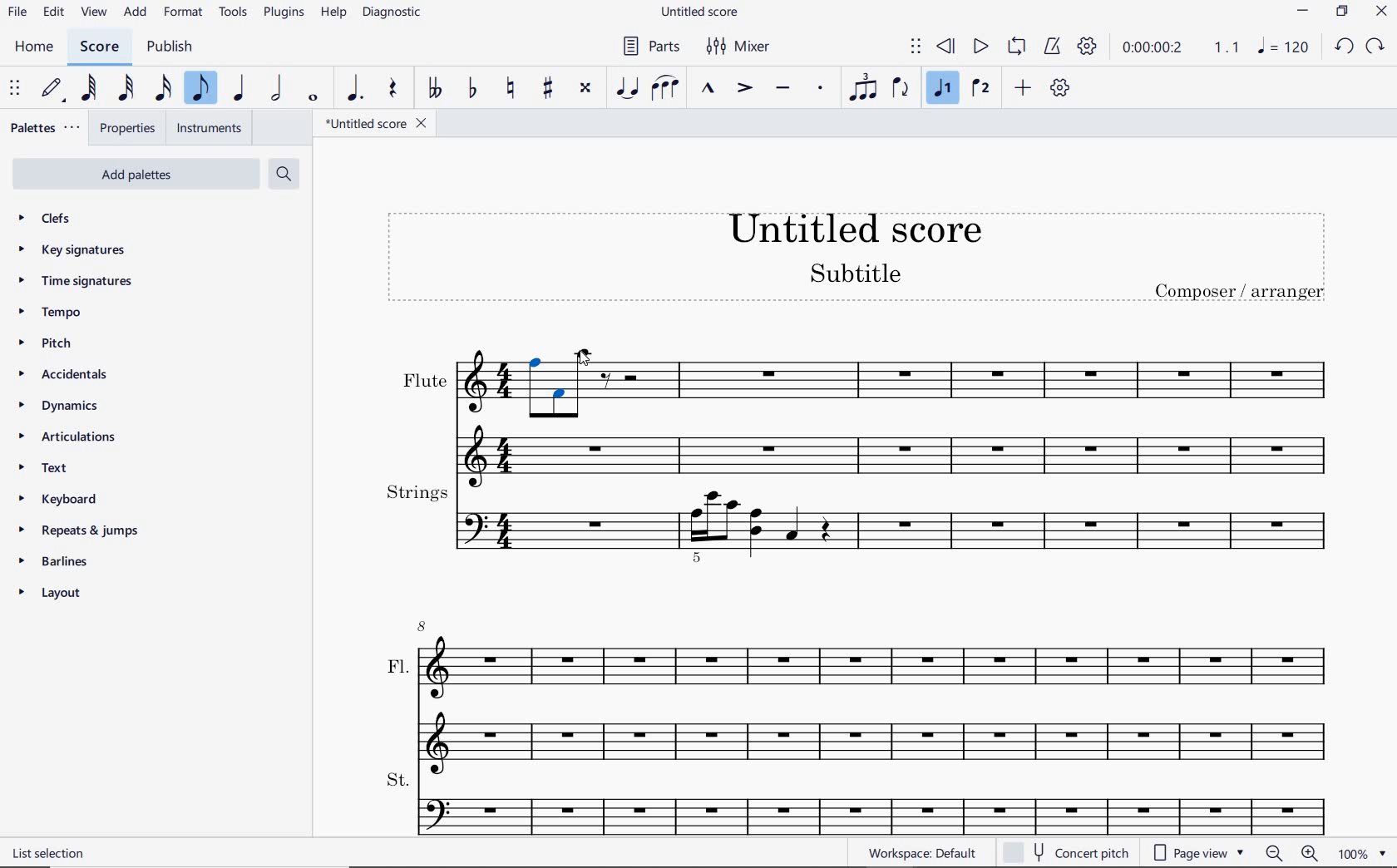 The image size is (1397, 868). I want to click on articulations, so click(67, 437).